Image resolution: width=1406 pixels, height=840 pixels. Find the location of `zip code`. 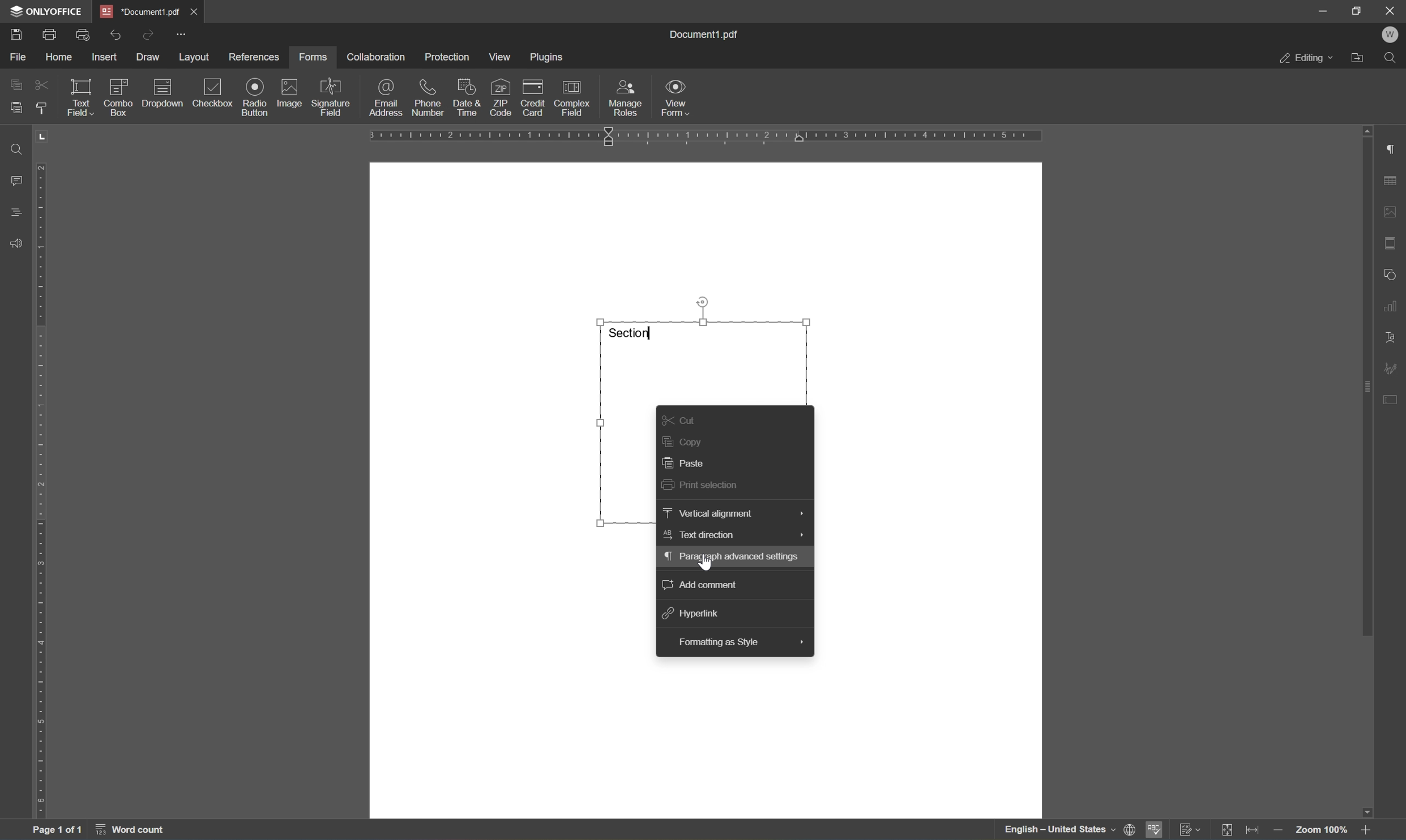

zip code is located at coordinates (499, 97).